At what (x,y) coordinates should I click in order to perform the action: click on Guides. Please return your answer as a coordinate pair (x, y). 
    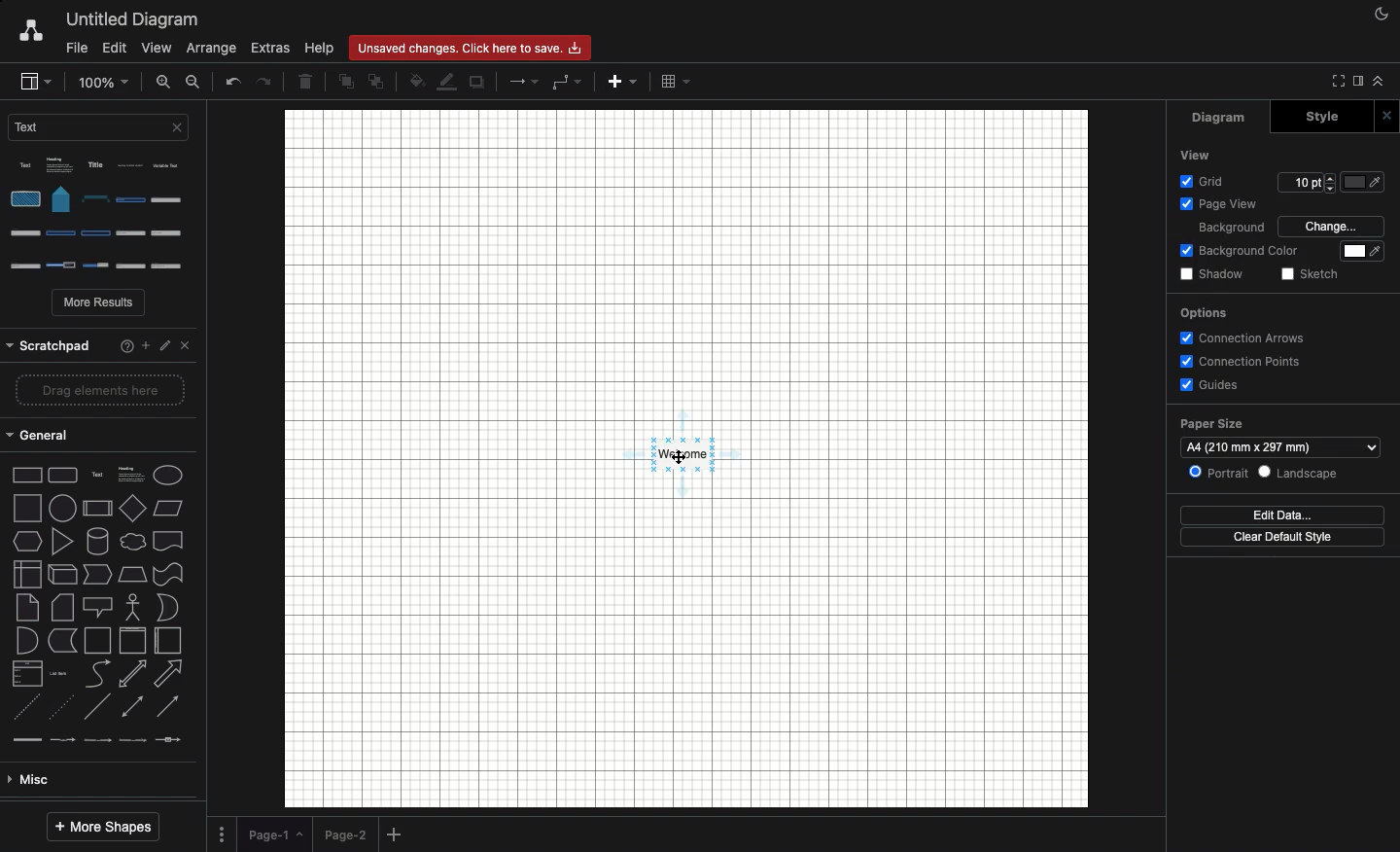
    Looking at the image, I should click on (1221, 383).